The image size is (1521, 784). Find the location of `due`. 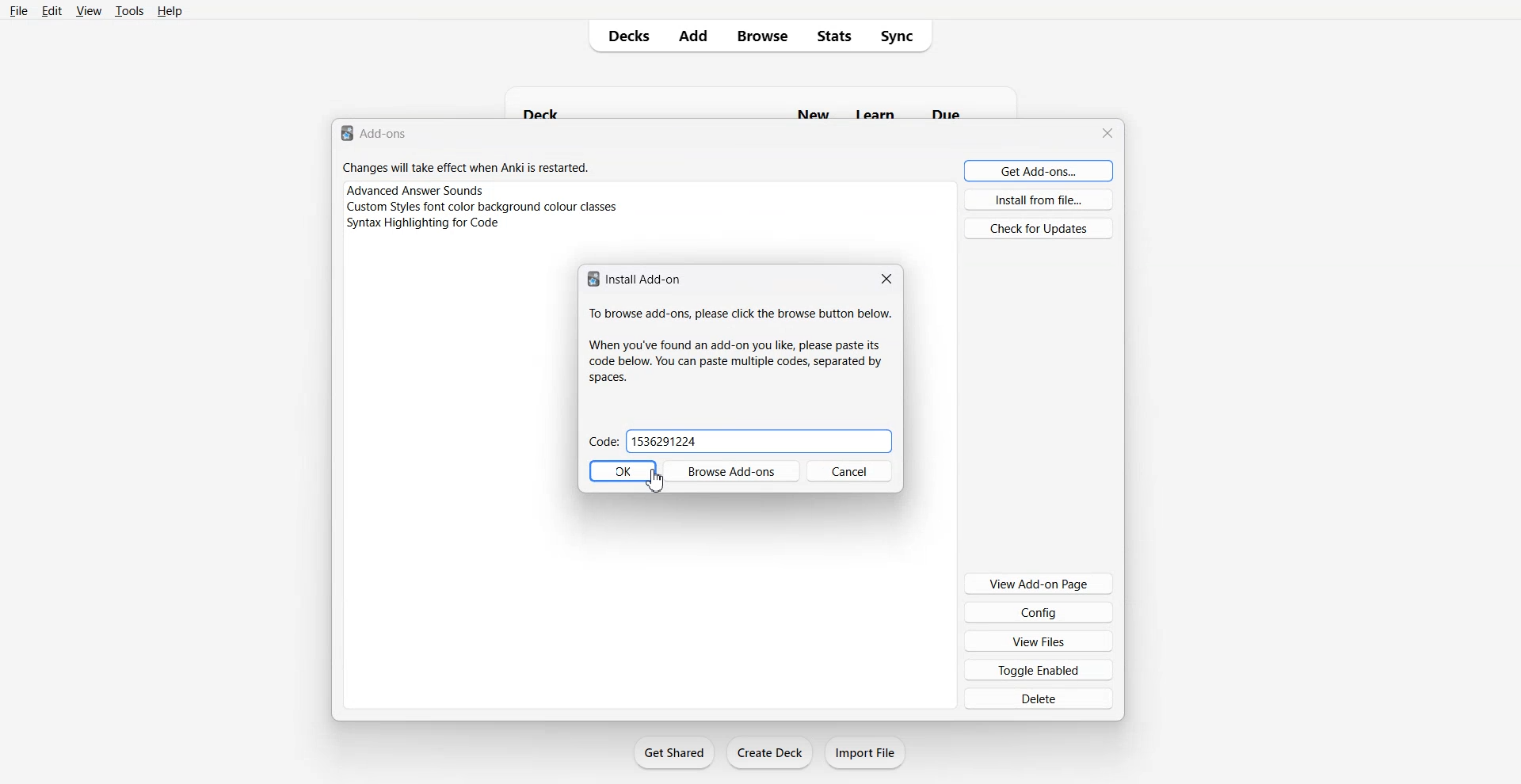

due is located at coordinates (948, 112).